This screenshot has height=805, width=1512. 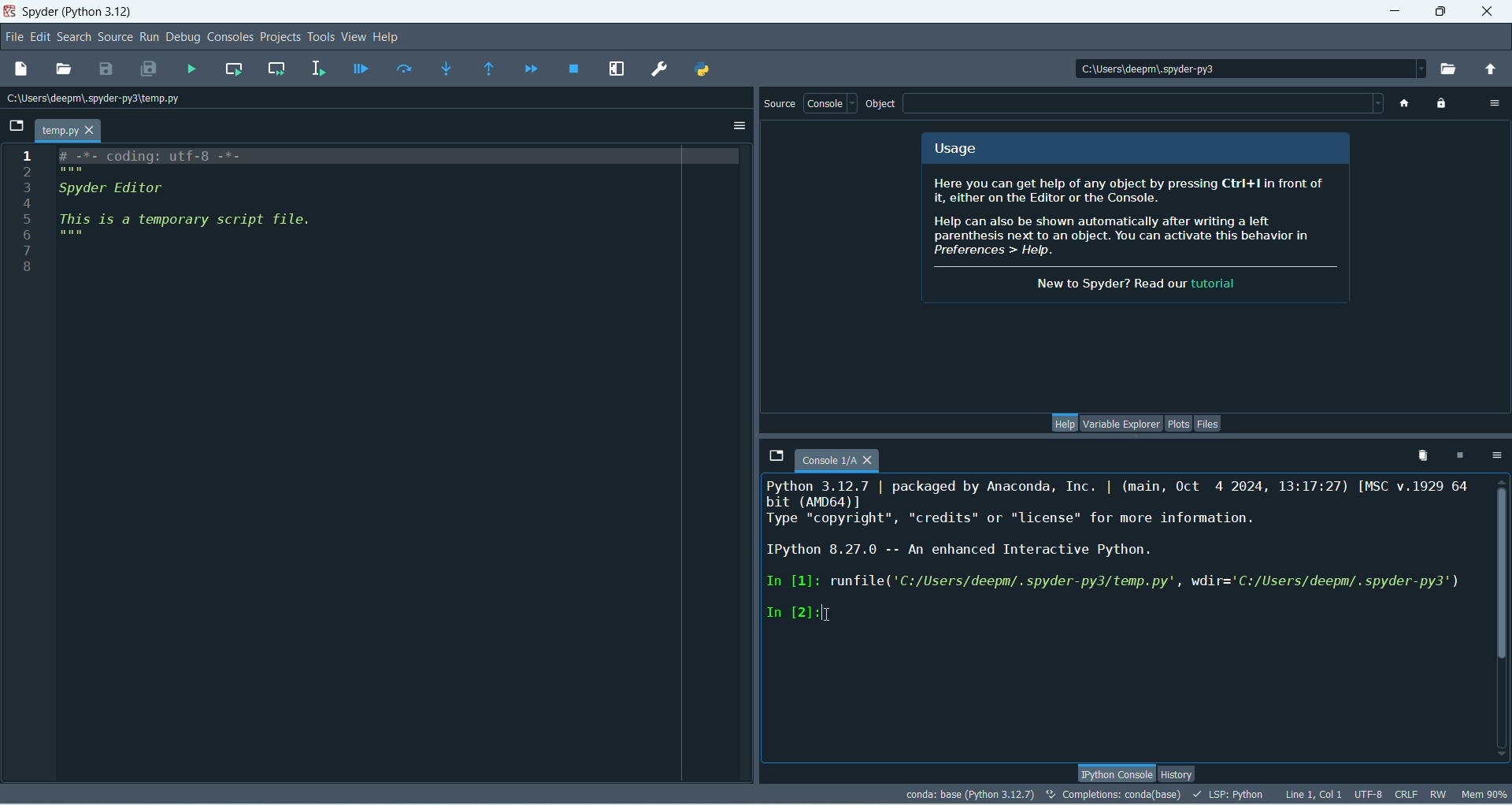 What do you see at coordinates (1179, 424) in the screenshot?
I see `plots` at bounding box center [1179, 424].